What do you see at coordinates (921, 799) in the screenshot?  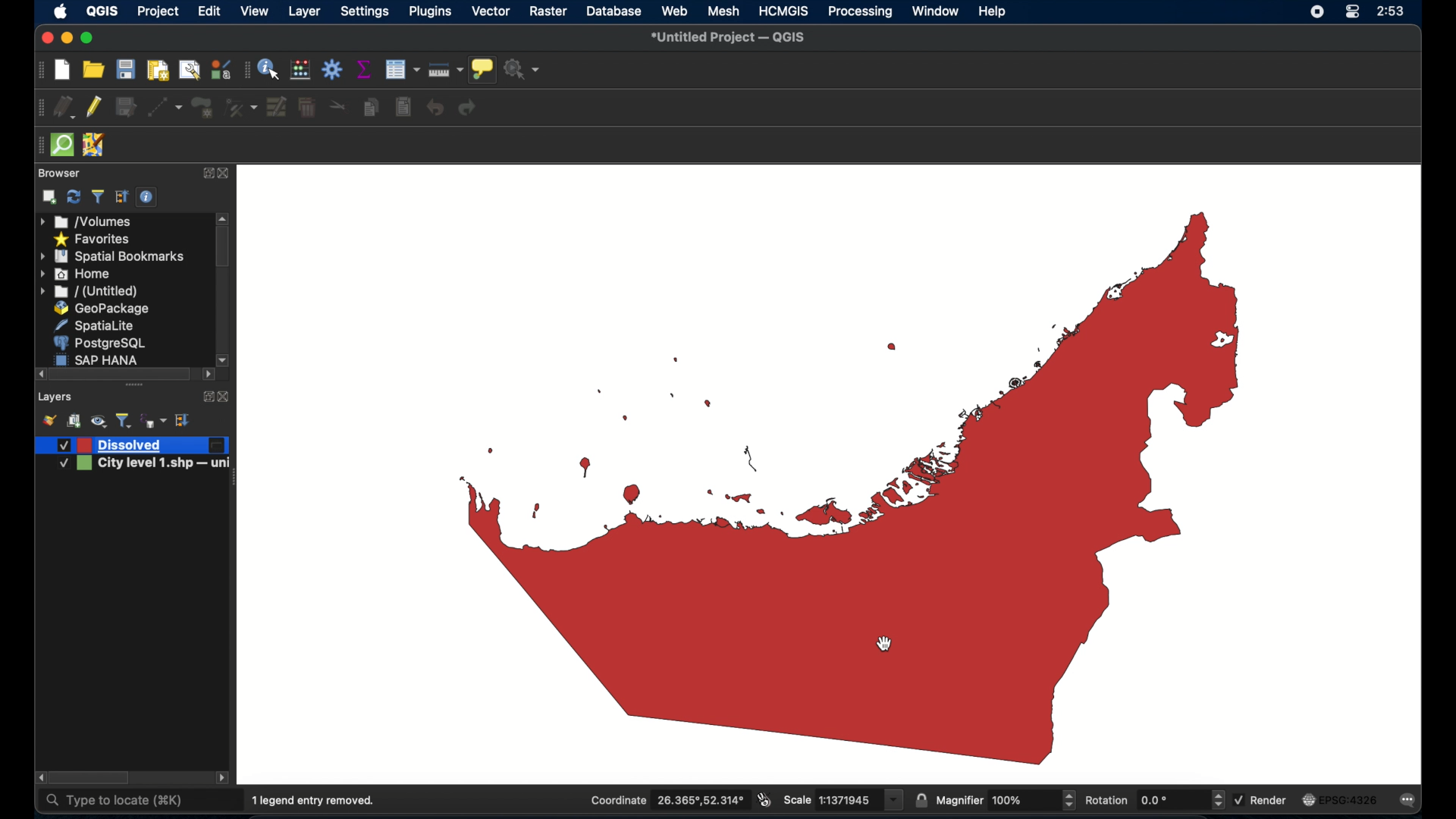 I see `lock scale` at bounding box center [921, 799].